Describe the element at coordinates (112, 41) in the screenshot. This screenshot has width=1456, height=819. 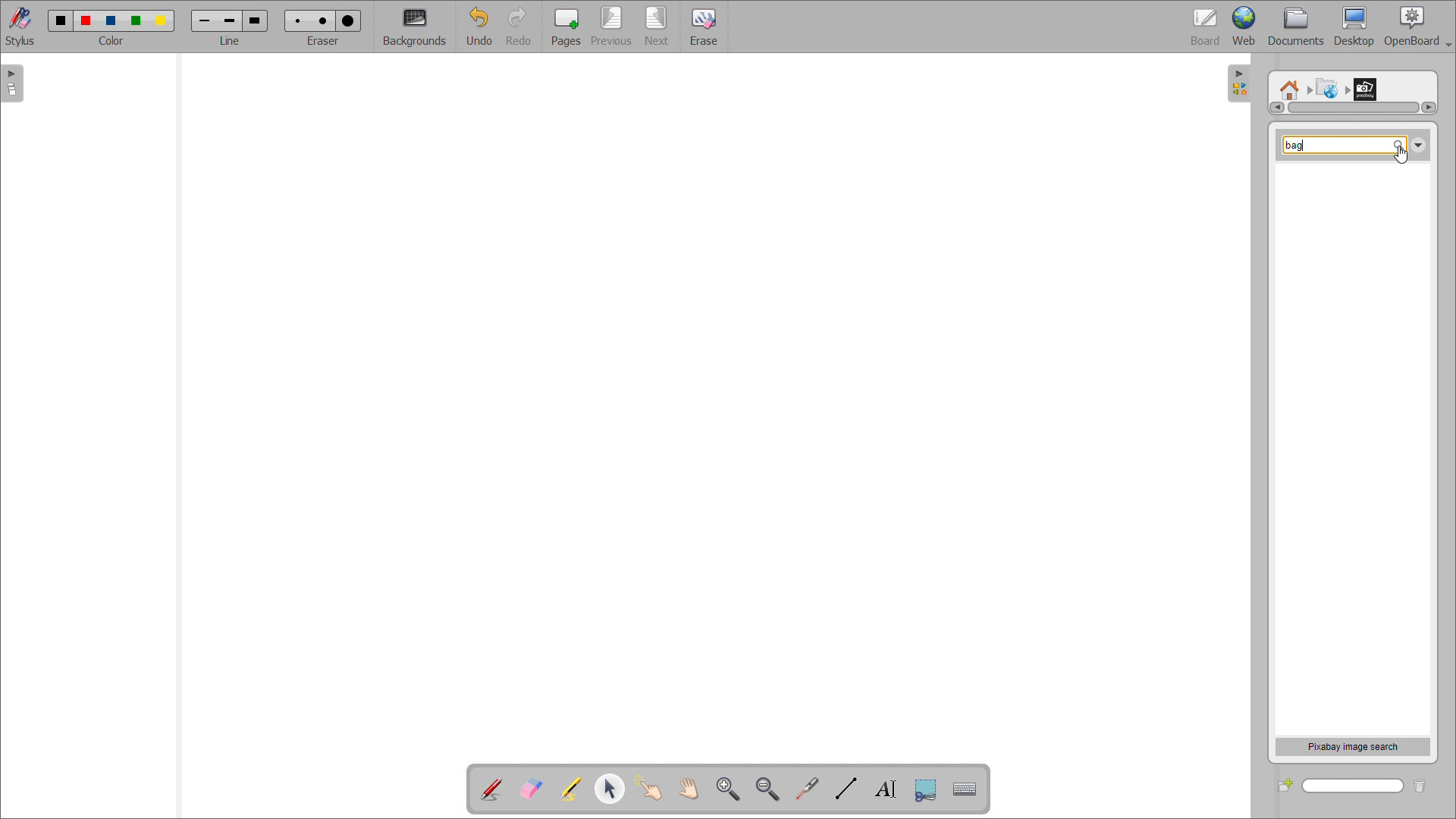
I see `color` at that location.